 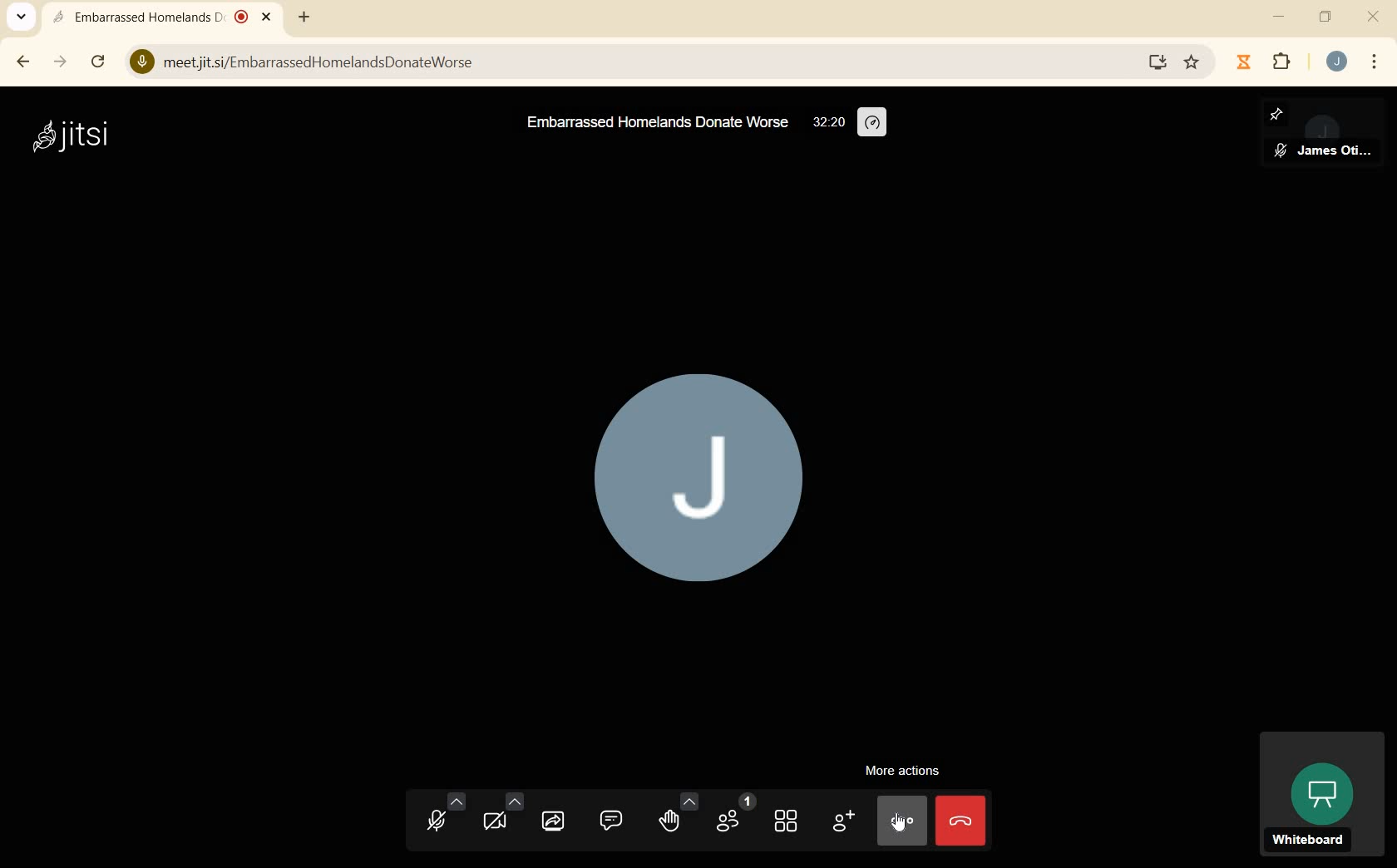 What do you see at coordinates (1281, 63) in the screenshot?
I see `extensions` at bounding box center [1281, 63].